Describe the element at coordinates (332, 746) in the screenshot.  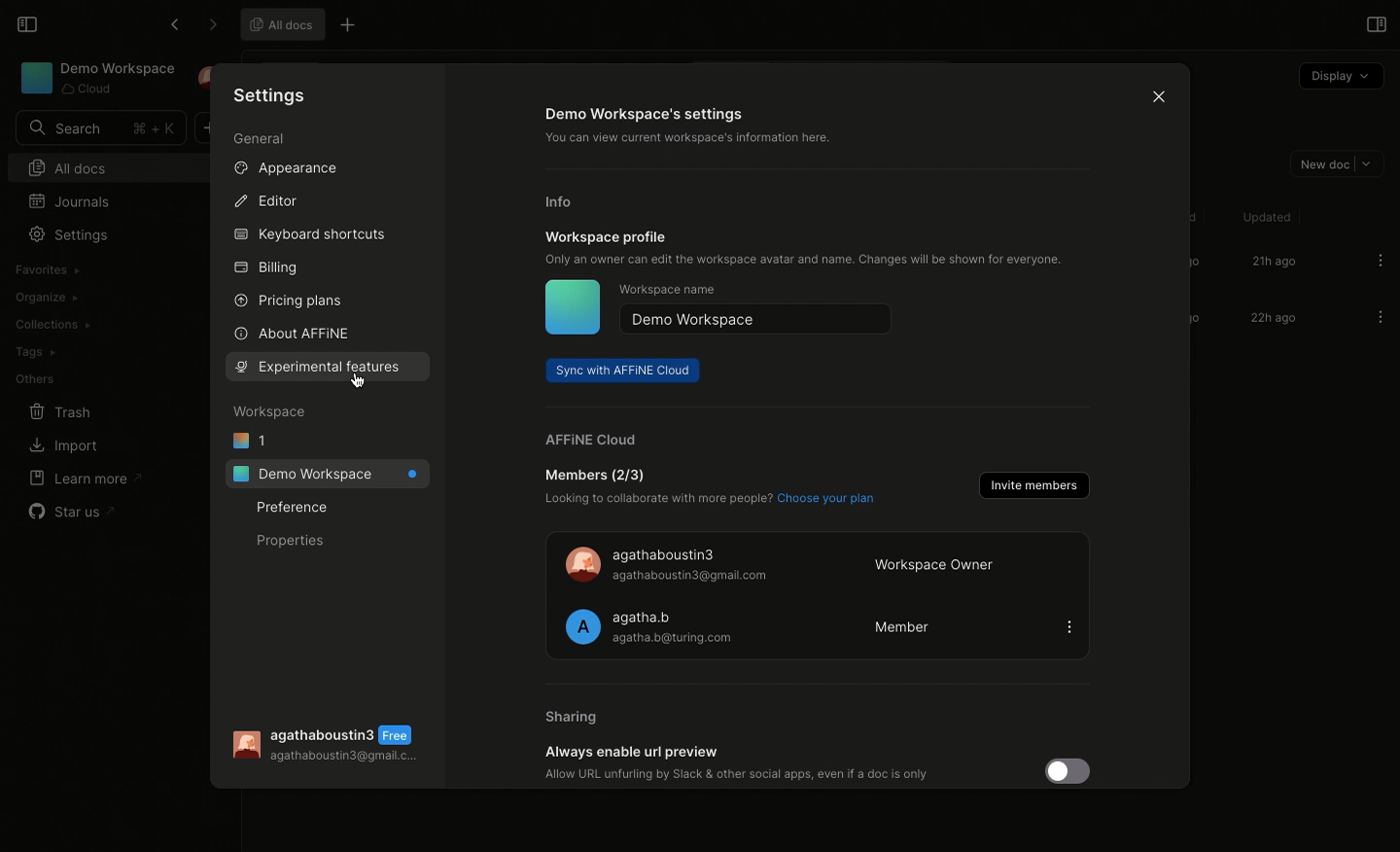
I see `User` at that location.